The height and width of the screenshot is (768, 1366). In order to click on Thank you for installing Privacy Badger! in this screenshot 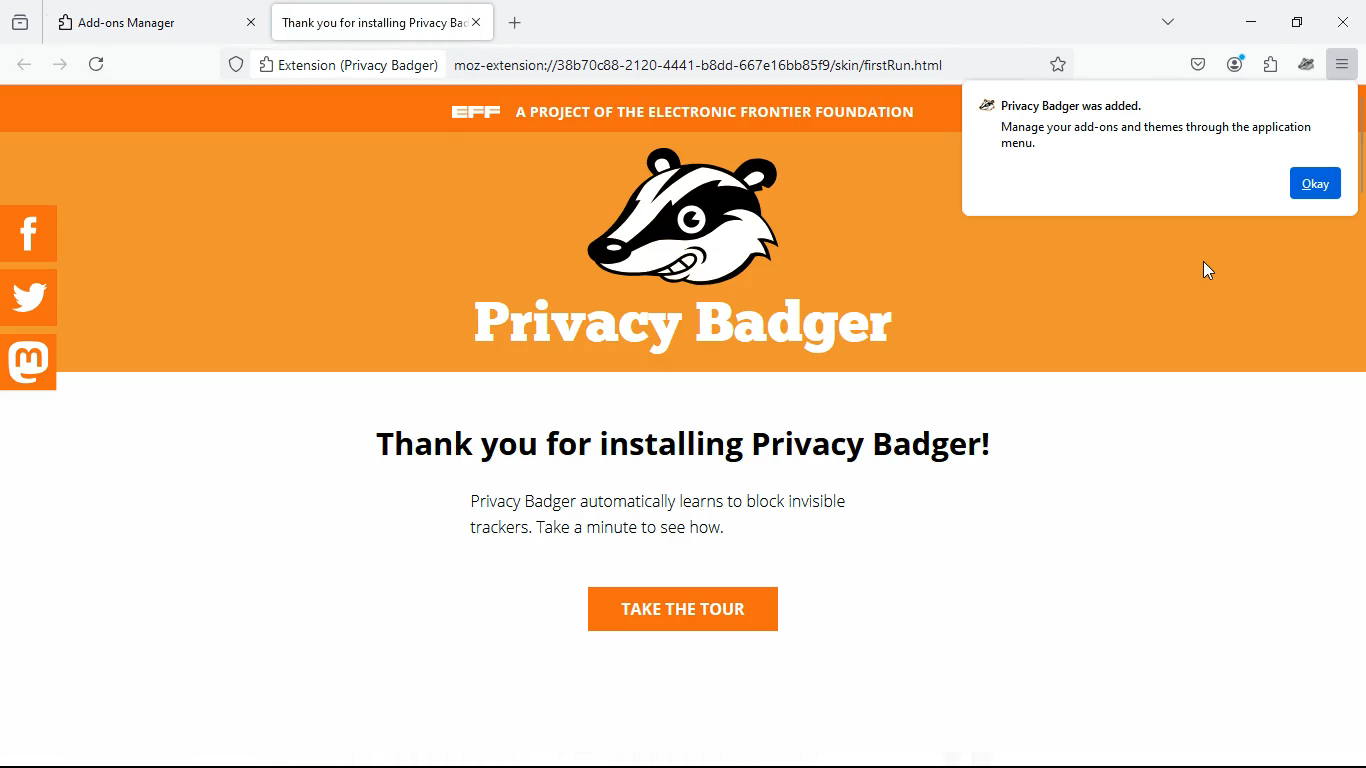, I will do `click(701, 449)`.